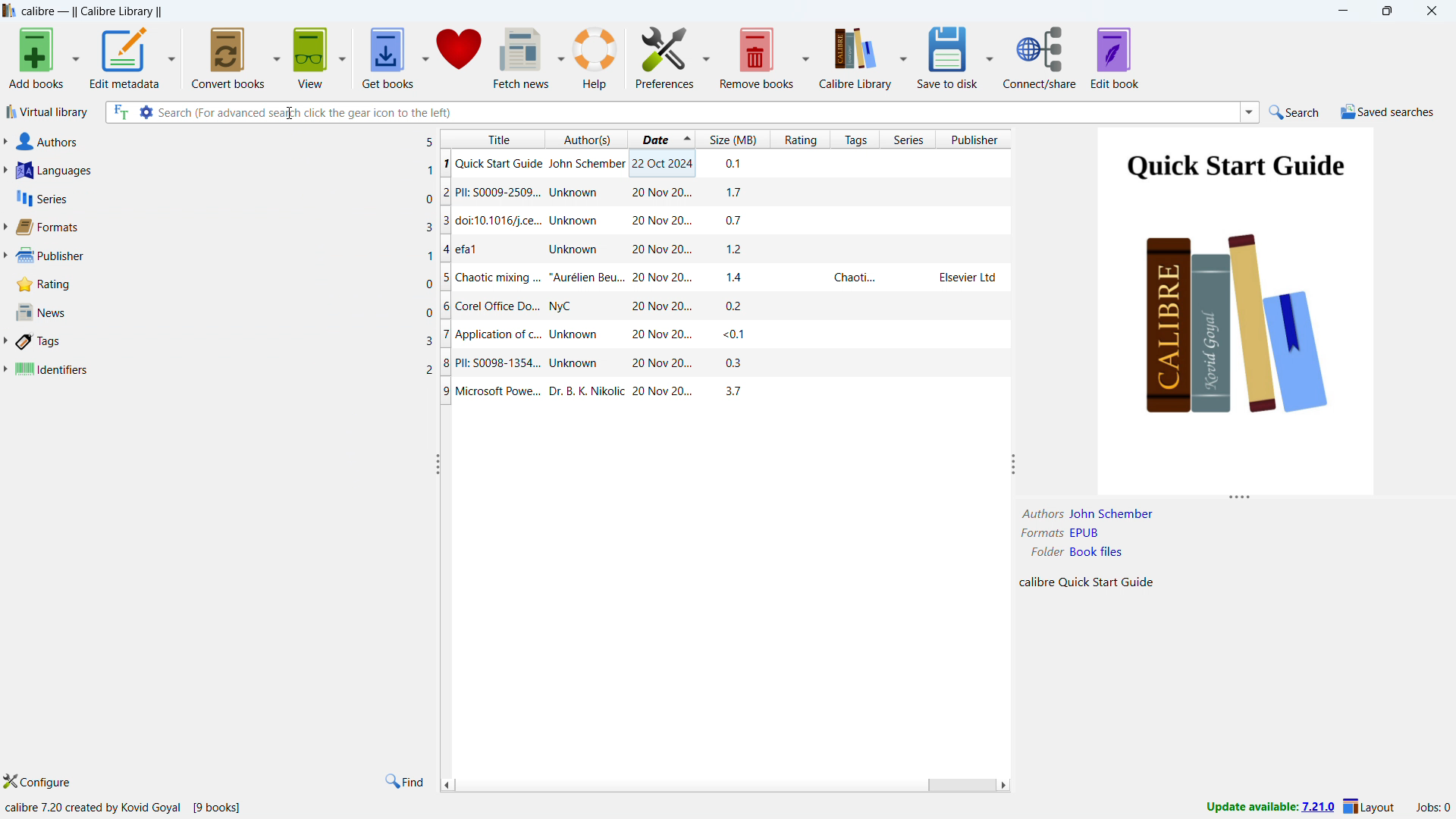 The image size is (1456, 819). What do you see at coordinates (388, 56) in the screenshot?
I see `get books` at bounding box center [388, 56].